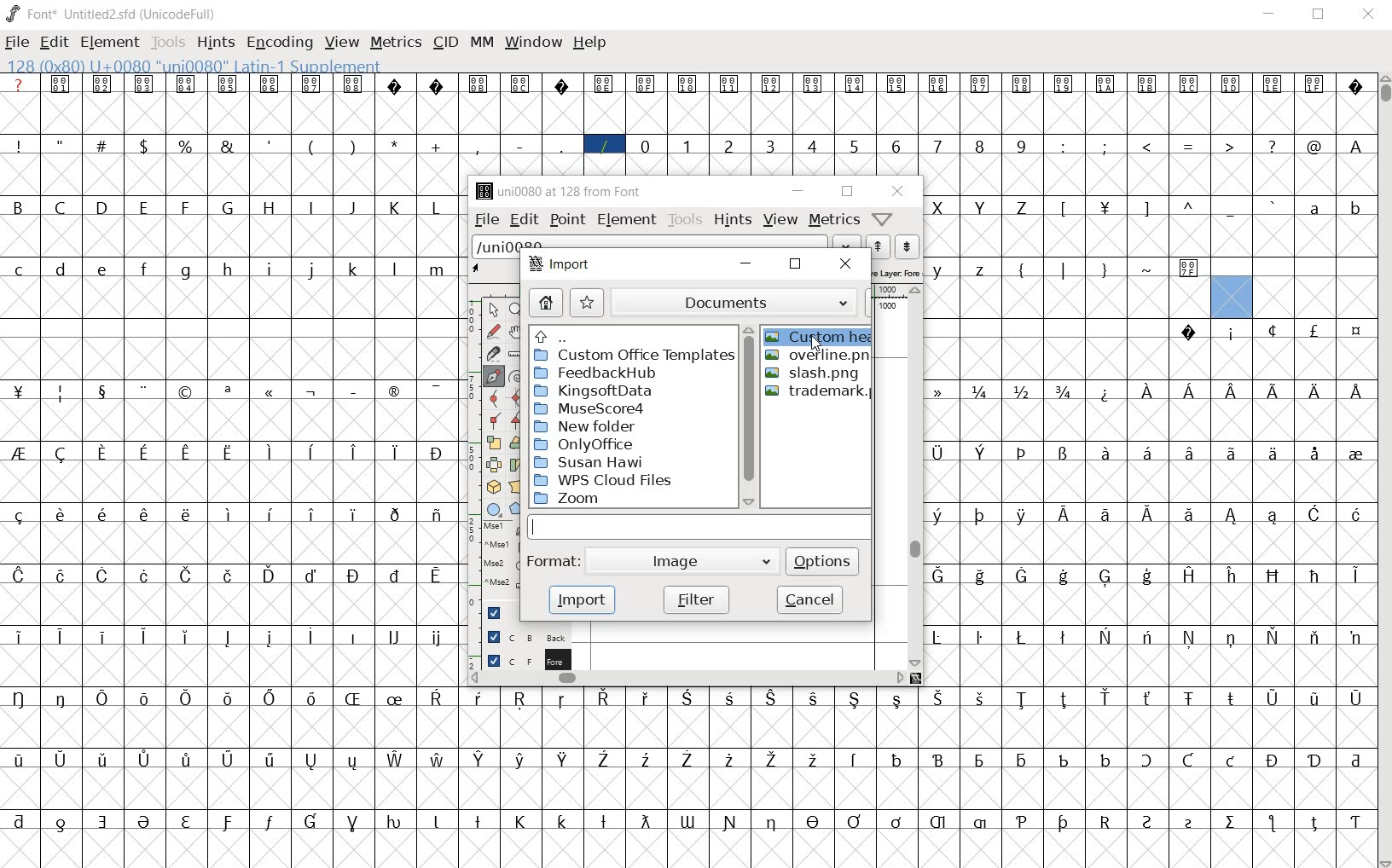  I want to click on glyph, so click(1189, 269).